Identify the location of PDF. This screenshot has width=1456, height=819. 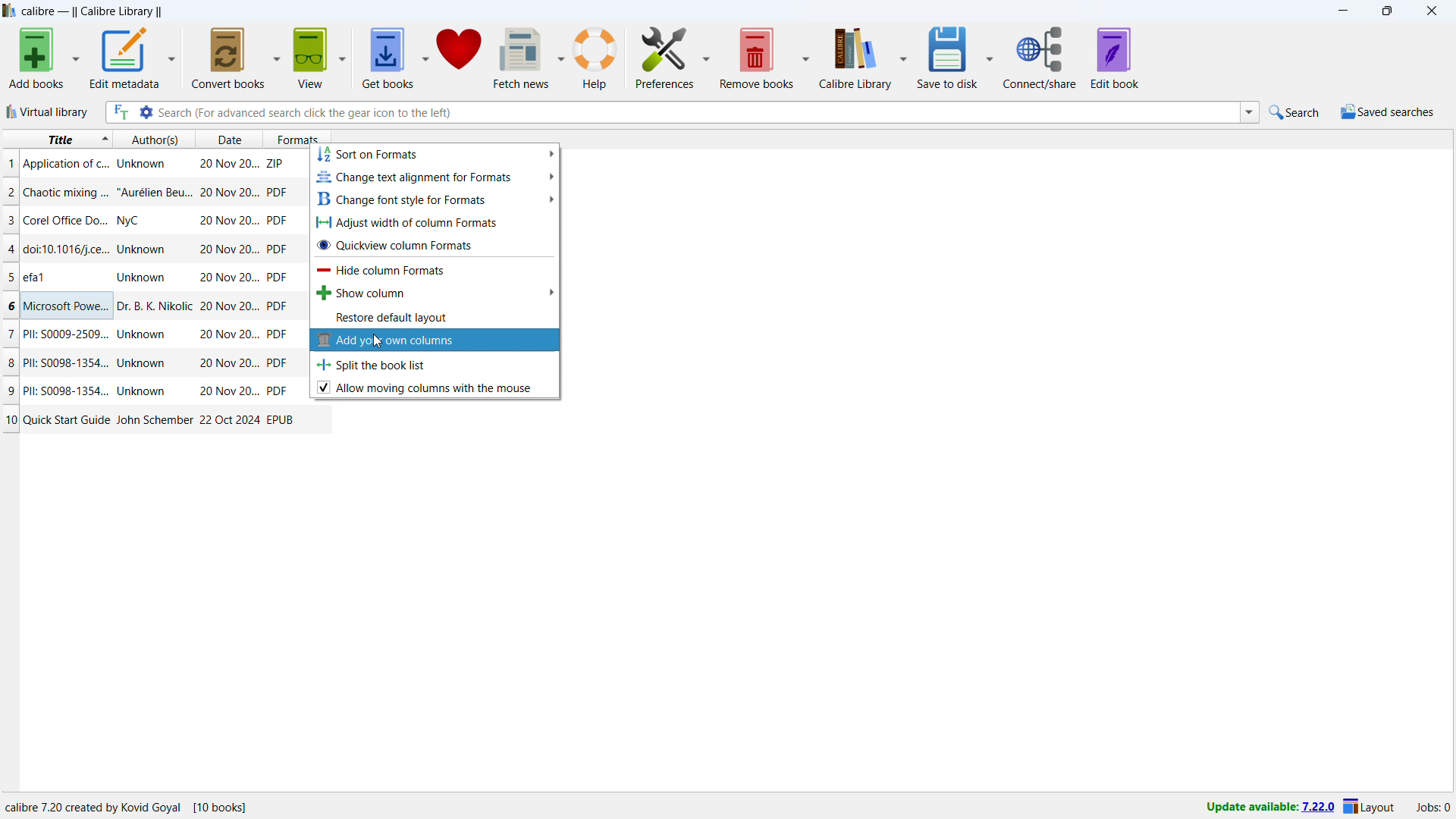
(280, 363).